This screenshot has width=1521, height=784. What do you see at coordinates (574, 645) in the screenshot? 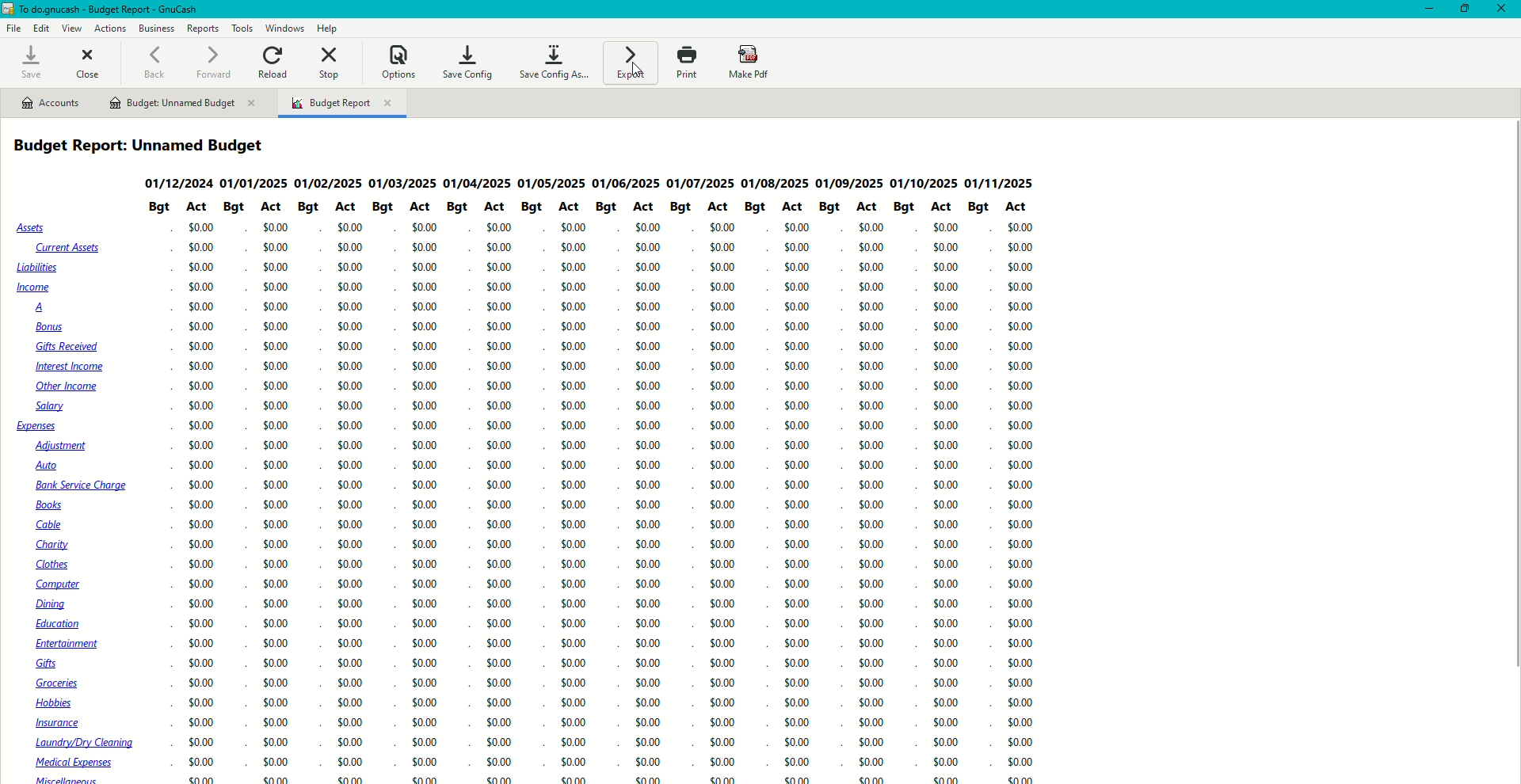
I see `€0.00` at bounding box center [574, 645].